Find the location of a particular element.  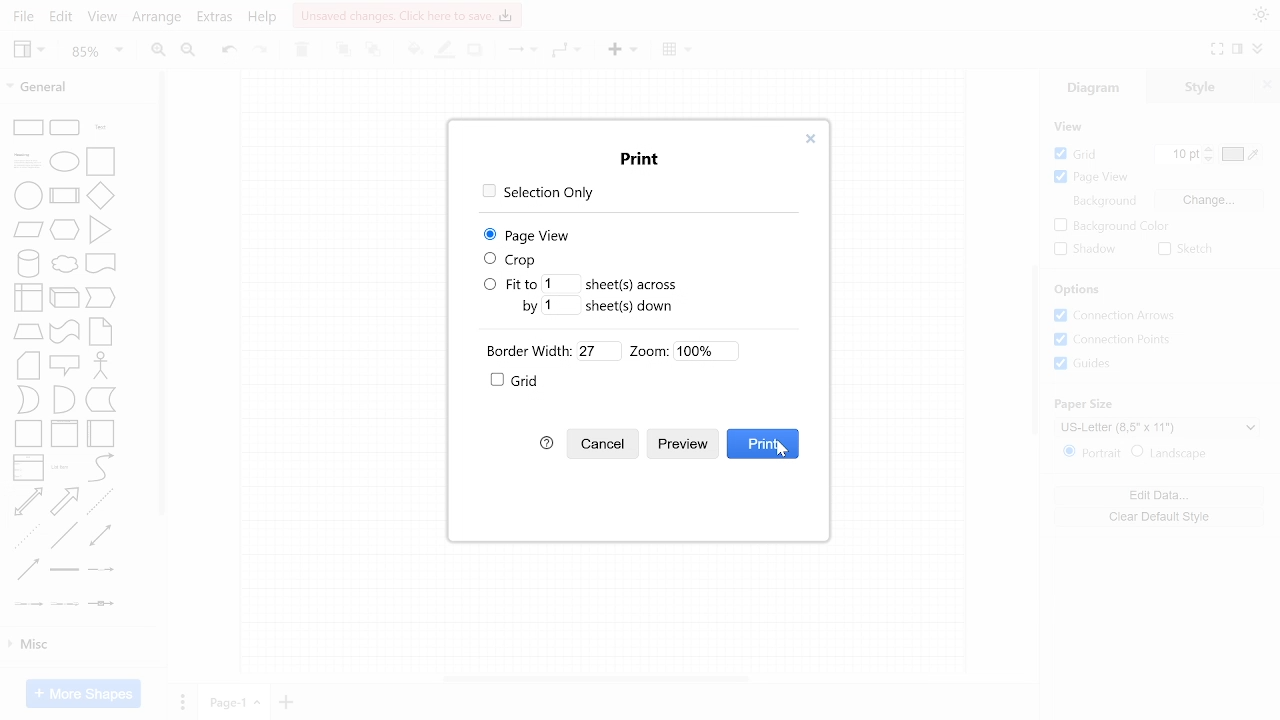

Ellipse is located at coordinates (64, 162).